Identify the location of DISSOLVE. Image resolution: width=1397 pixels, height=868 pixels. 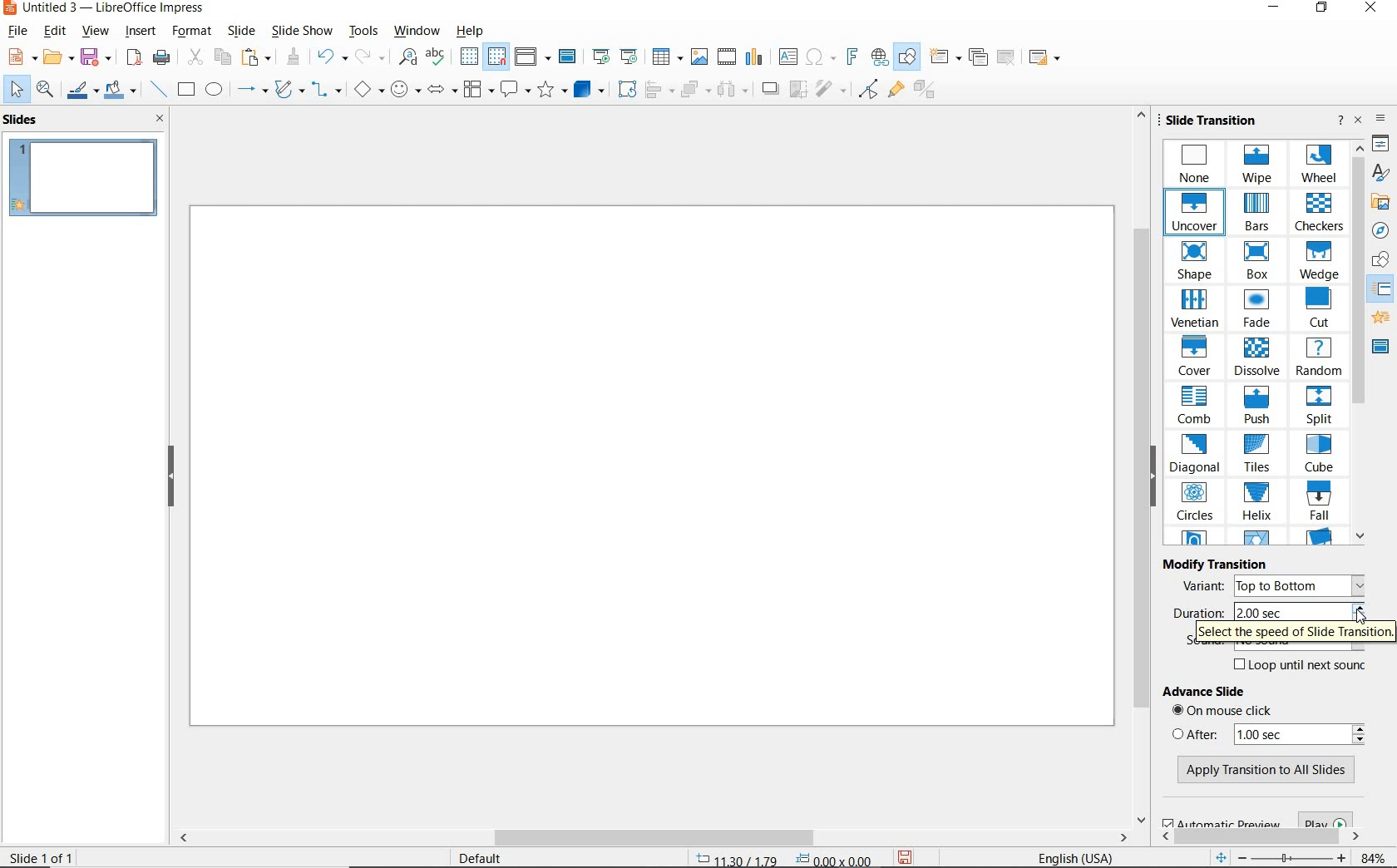
(1258, 358).